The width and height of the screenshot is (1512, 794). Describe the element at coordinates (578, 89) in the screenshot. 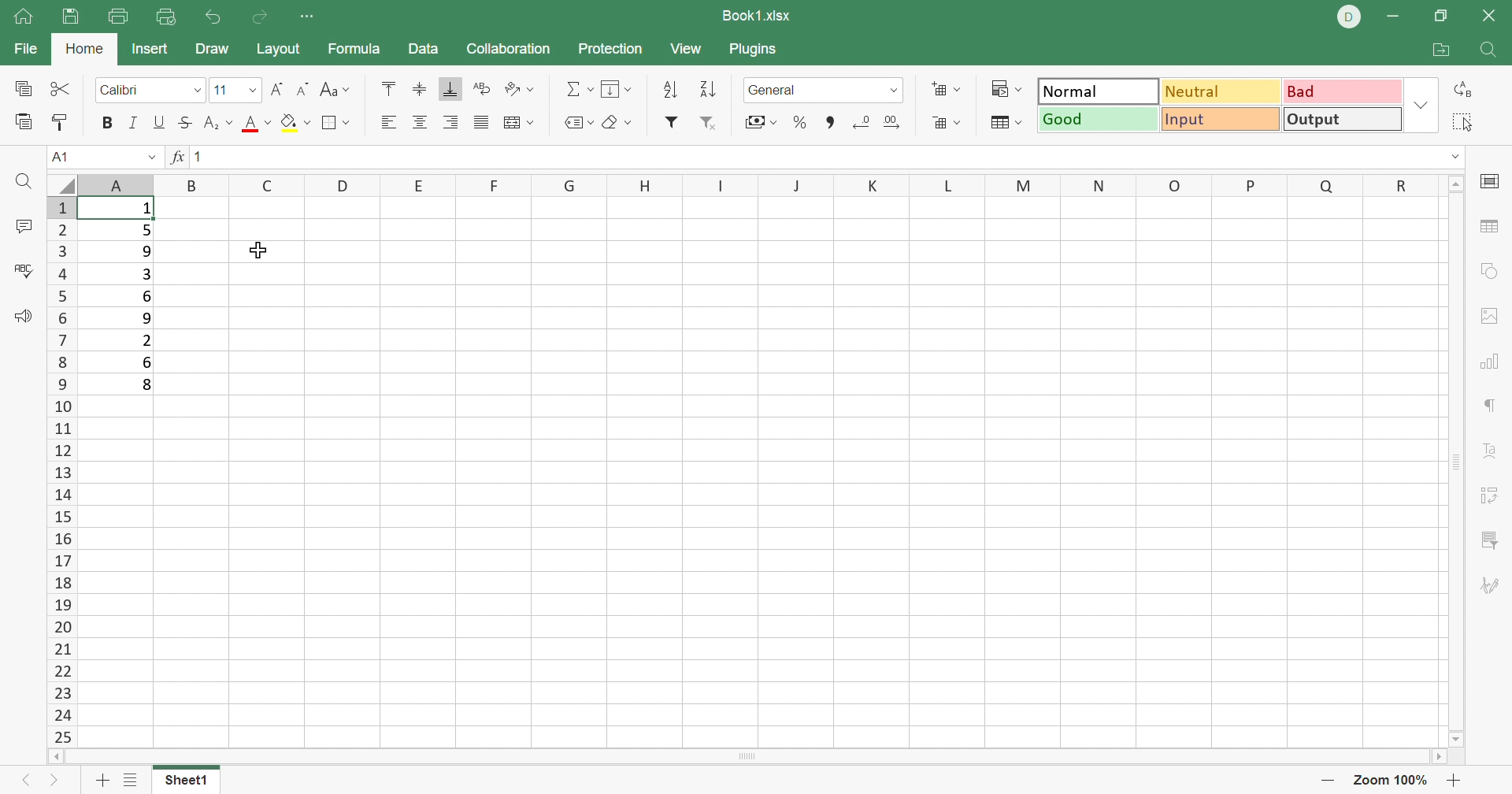

I see `Summation` at that location.